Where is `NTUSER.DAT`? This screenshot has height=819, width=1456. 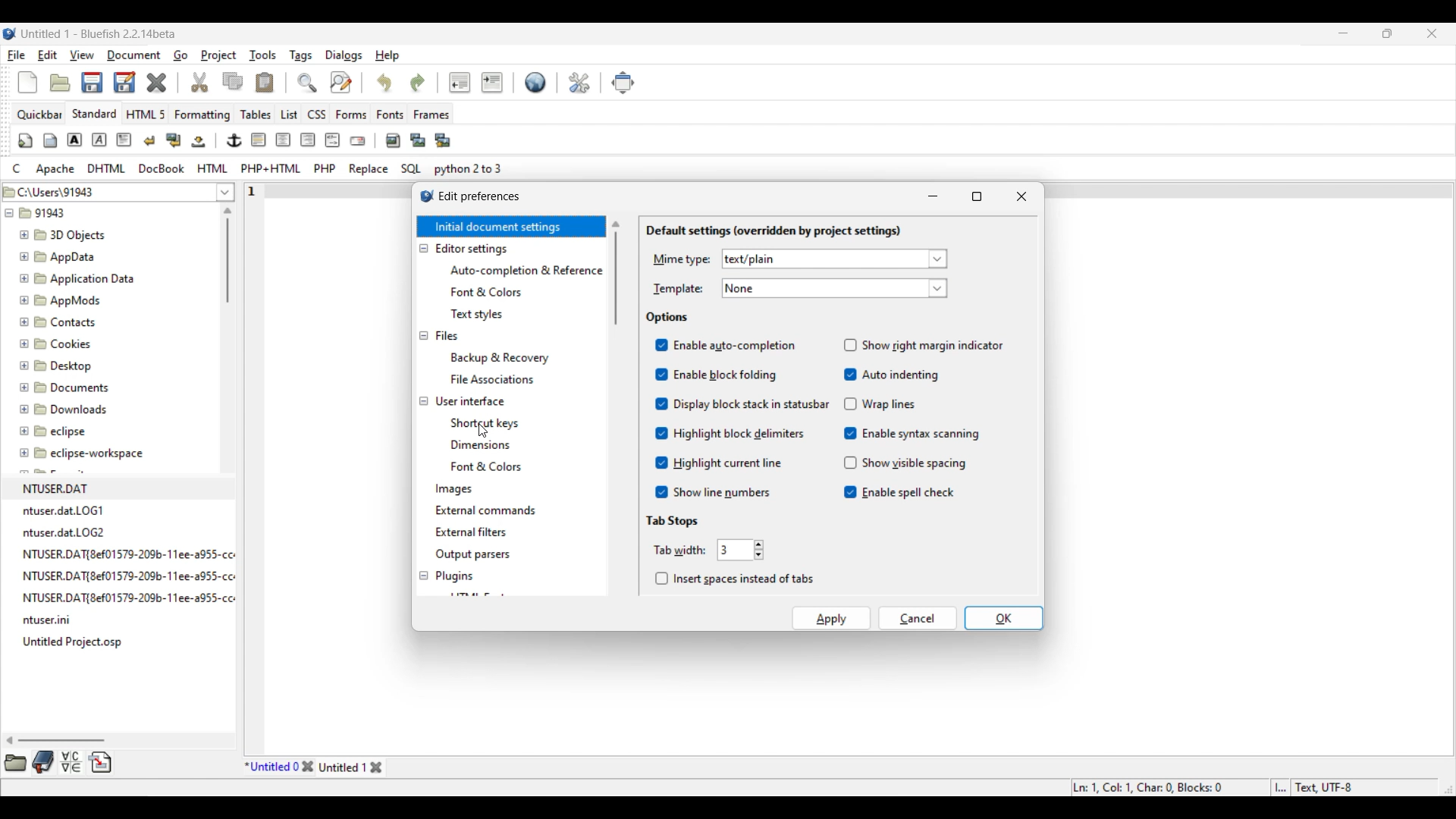 NTUSER.DAT is located at coordinates (61, 488).